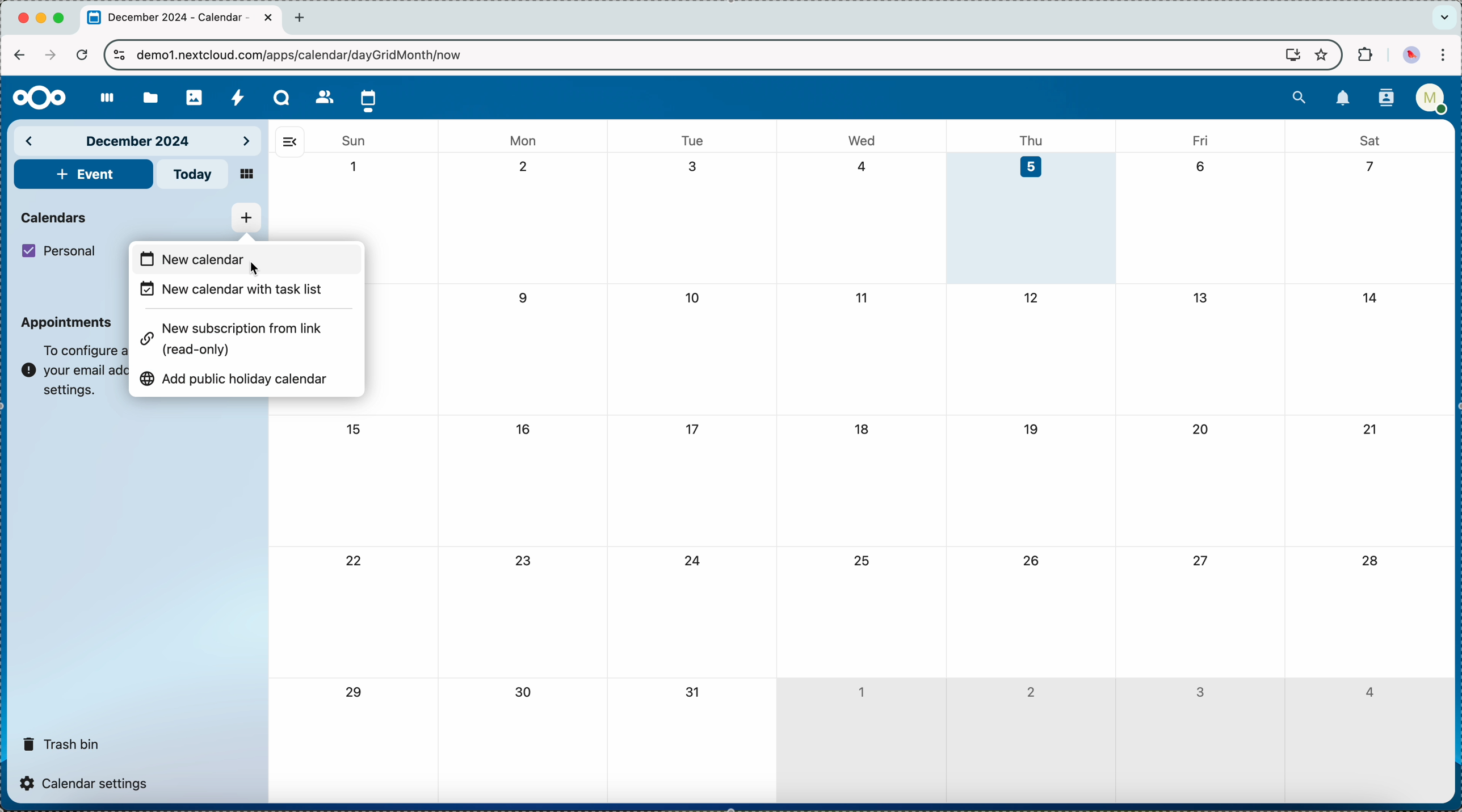 The width and height of the screenshot is (1462, 812). I want to click on sun, so click(352, 141).